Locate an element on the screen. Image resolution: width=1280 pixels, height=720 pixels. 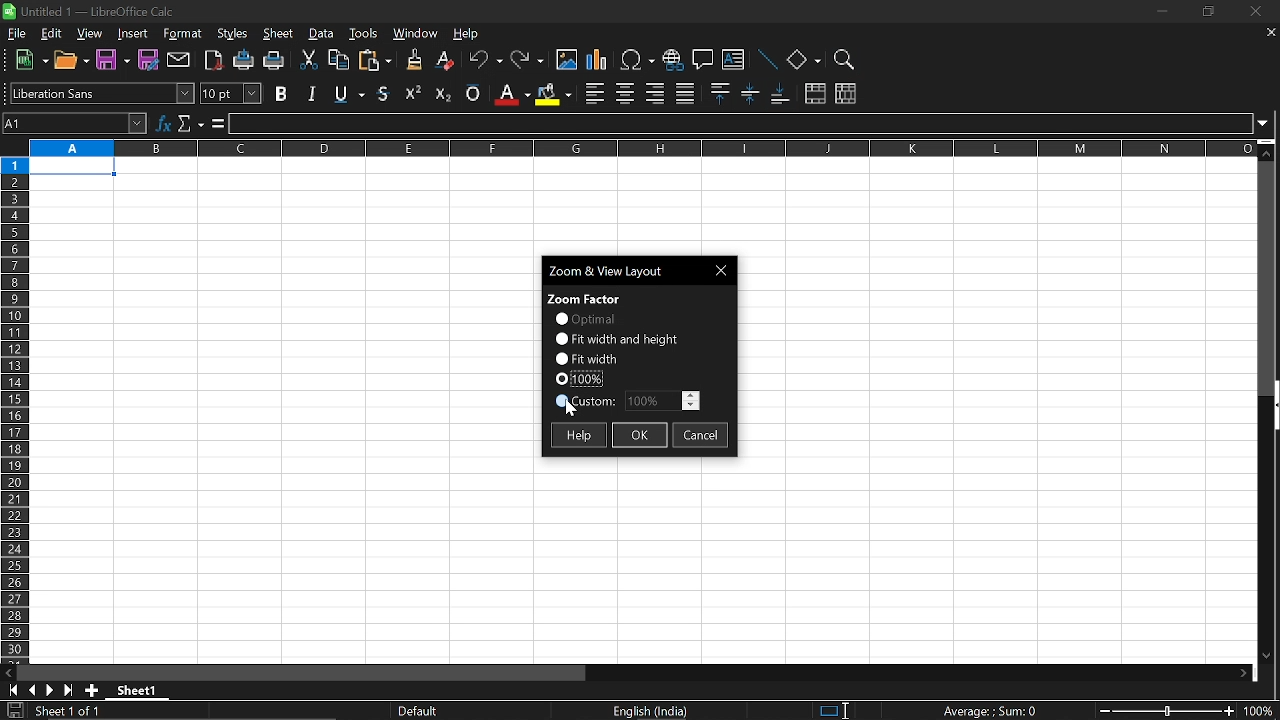
print directly is located at coordinates (244, 62).